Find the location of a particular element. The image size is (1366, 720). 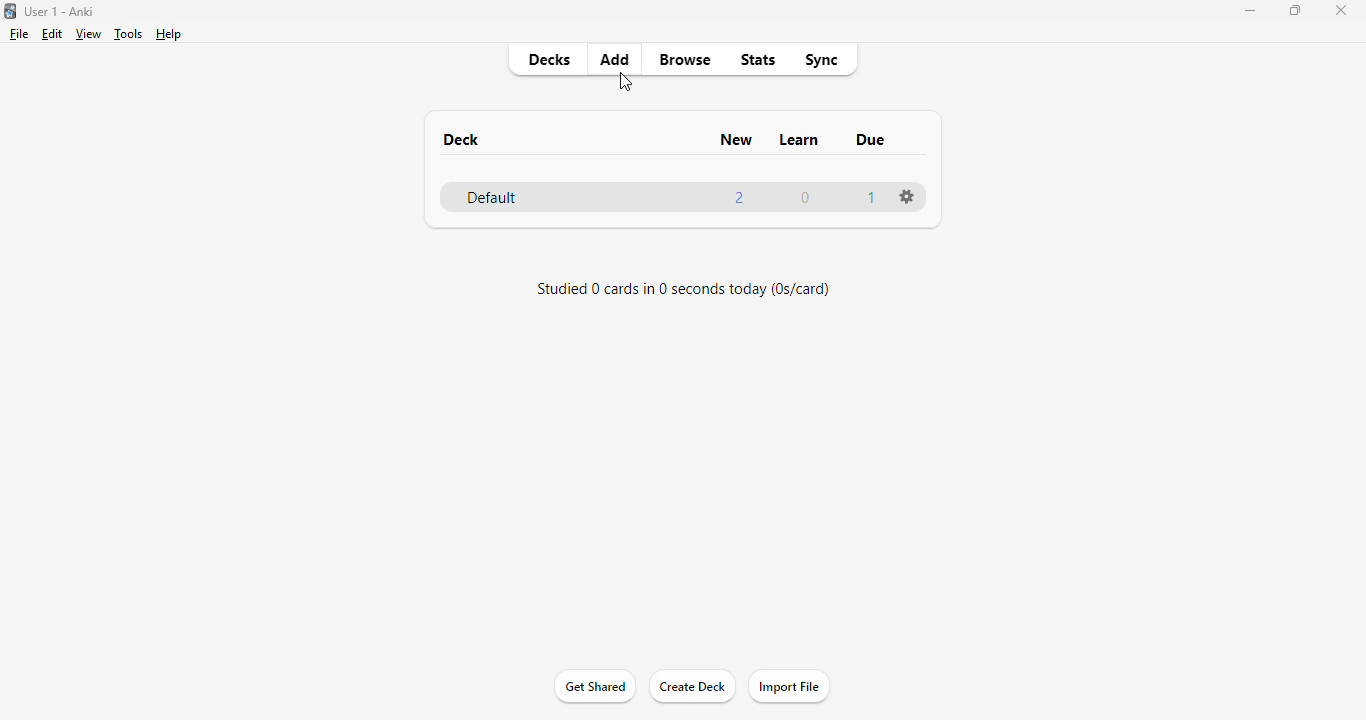

1 is located at coordinates (871, 197).